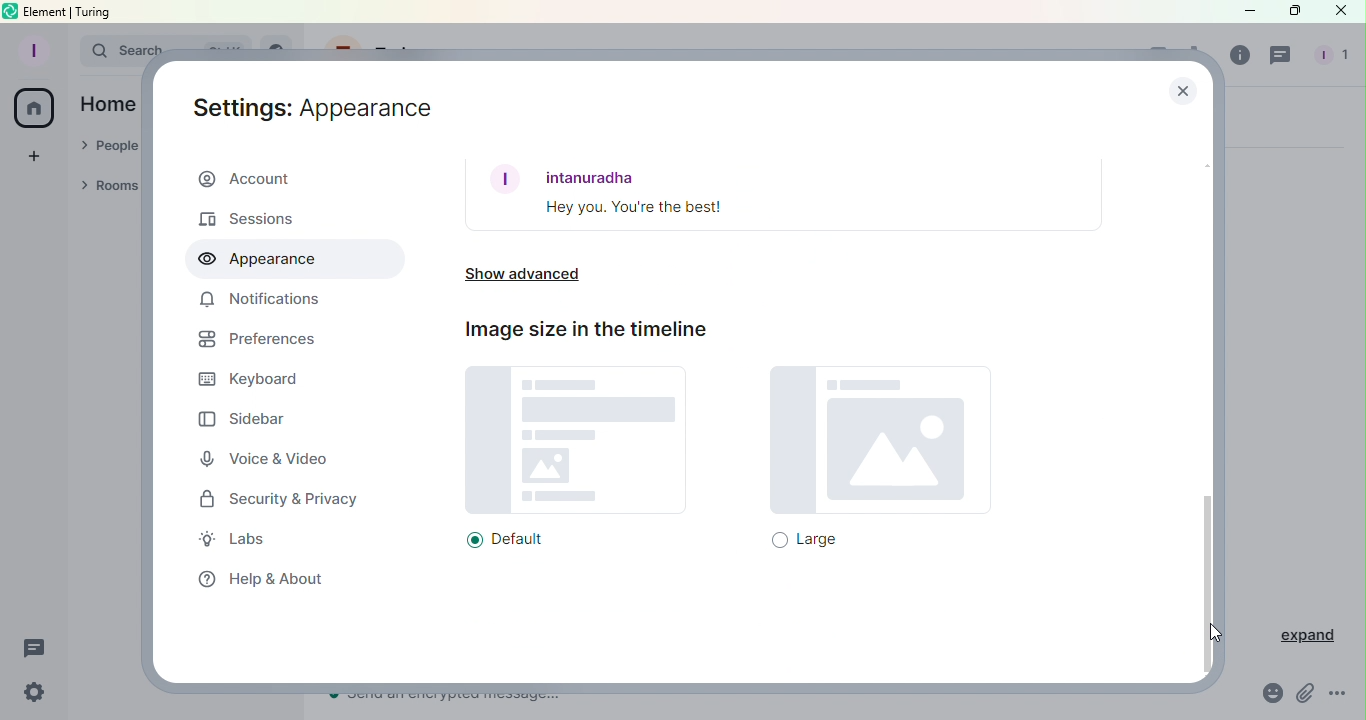  I want to click on Keyboard, so click(248, 381).